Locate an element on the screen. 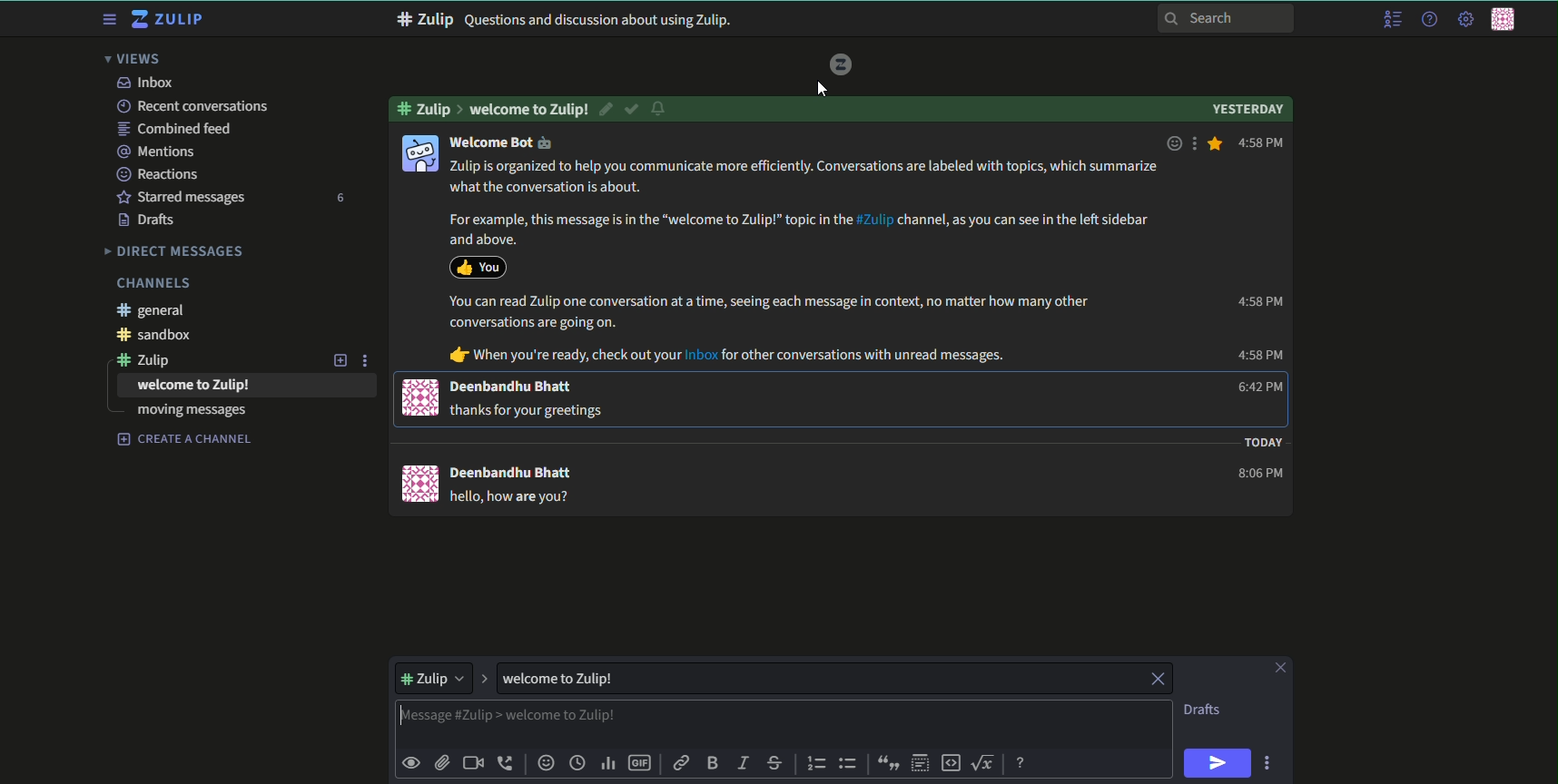 The width and height of the screenshot is (1558, 784). recent conversations is located at coordinates (192, 106).